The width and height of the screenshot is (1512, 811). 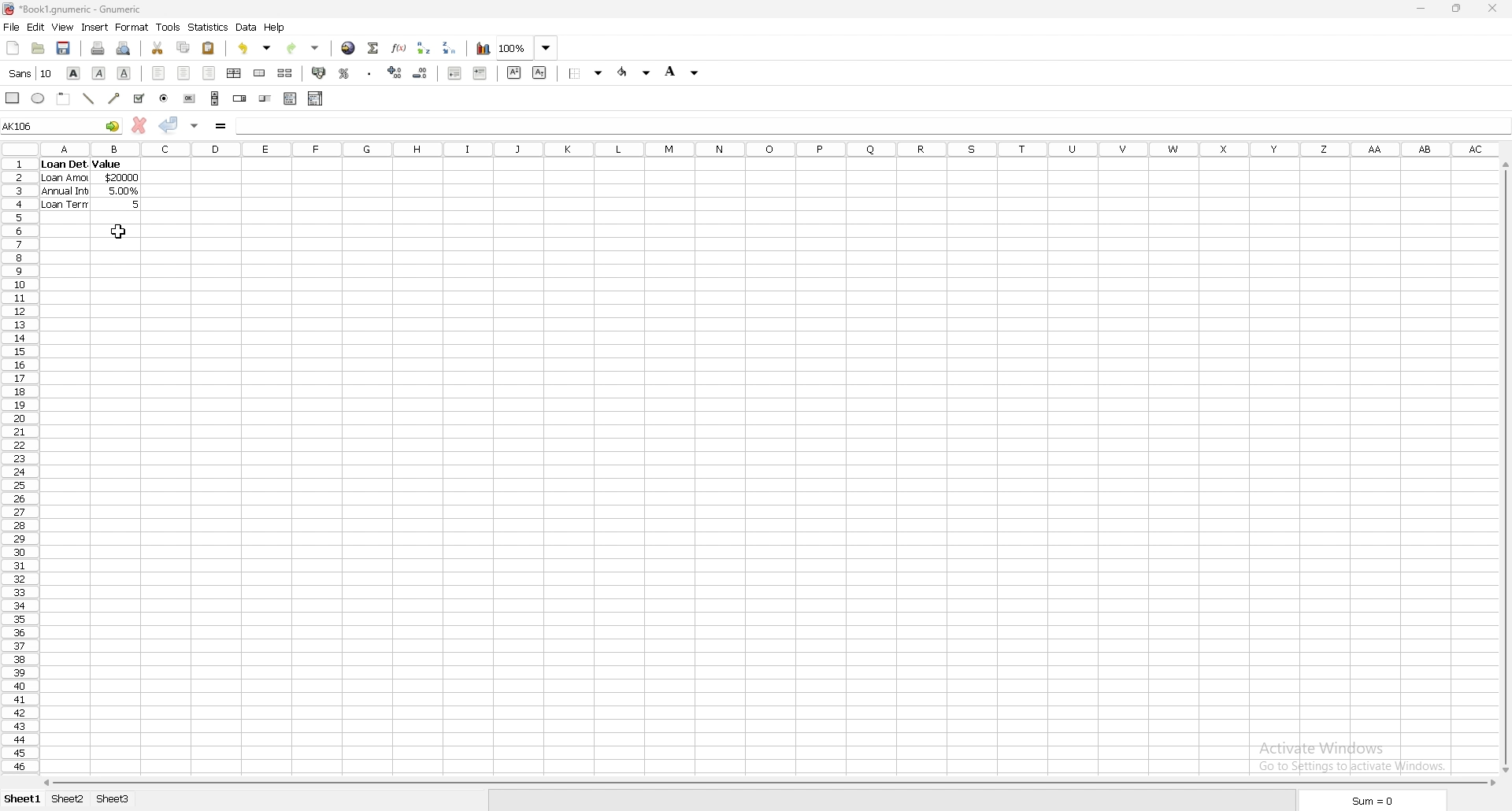 I want to click on dataset, so click(x=90, y=184).